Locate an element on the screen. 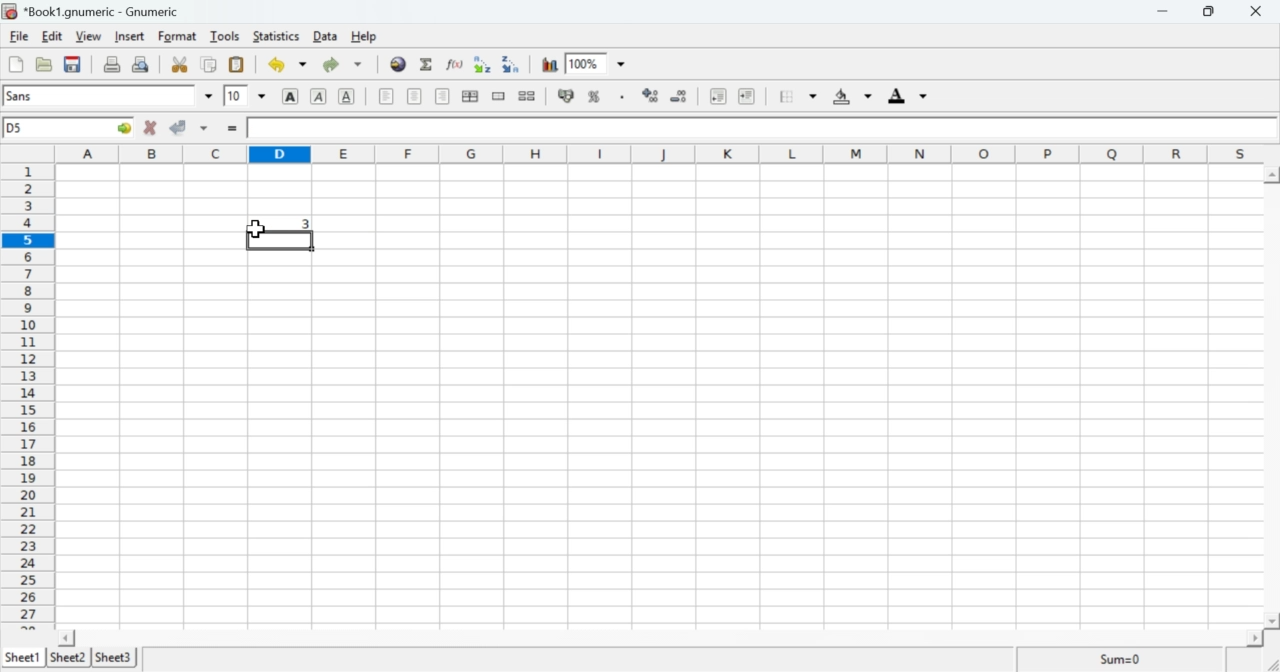 The image size is (1280, 672). Italics is located at coordinates (318, 98).